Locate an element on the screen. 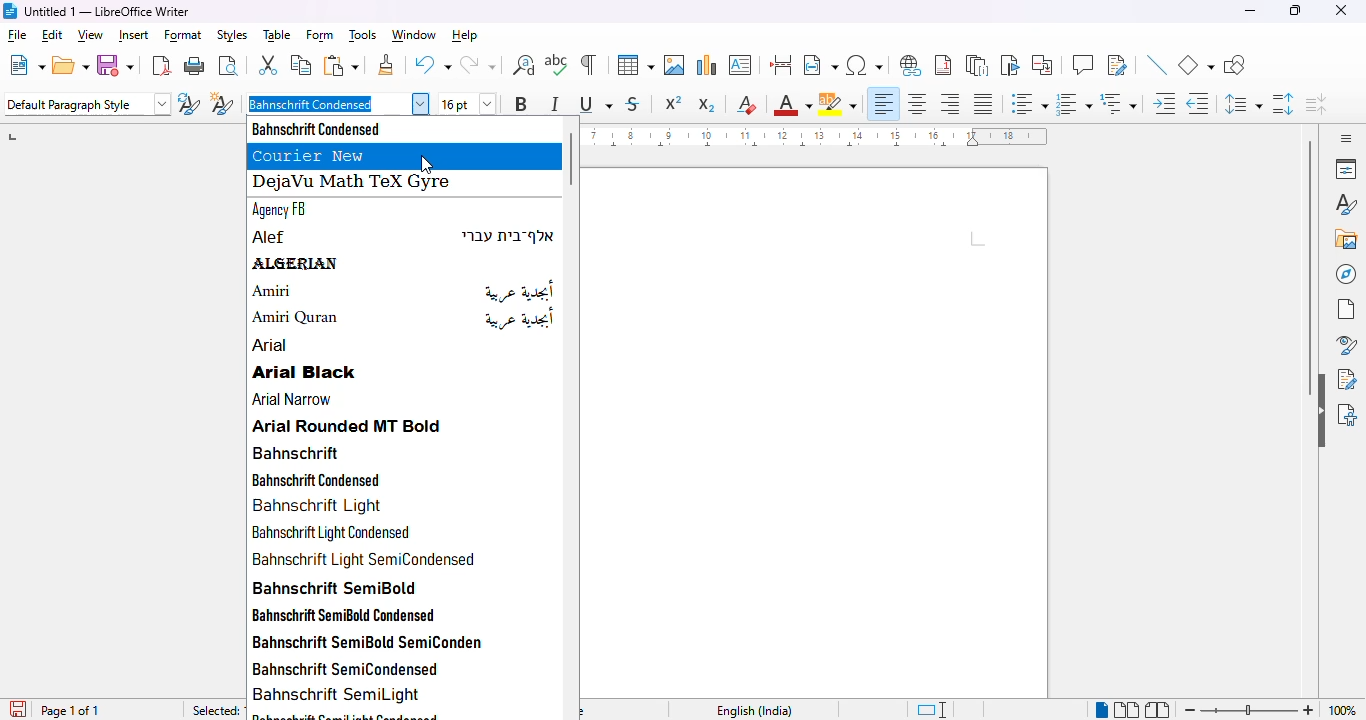  bahnschrift light condensed is located at coordinates (331, 531).